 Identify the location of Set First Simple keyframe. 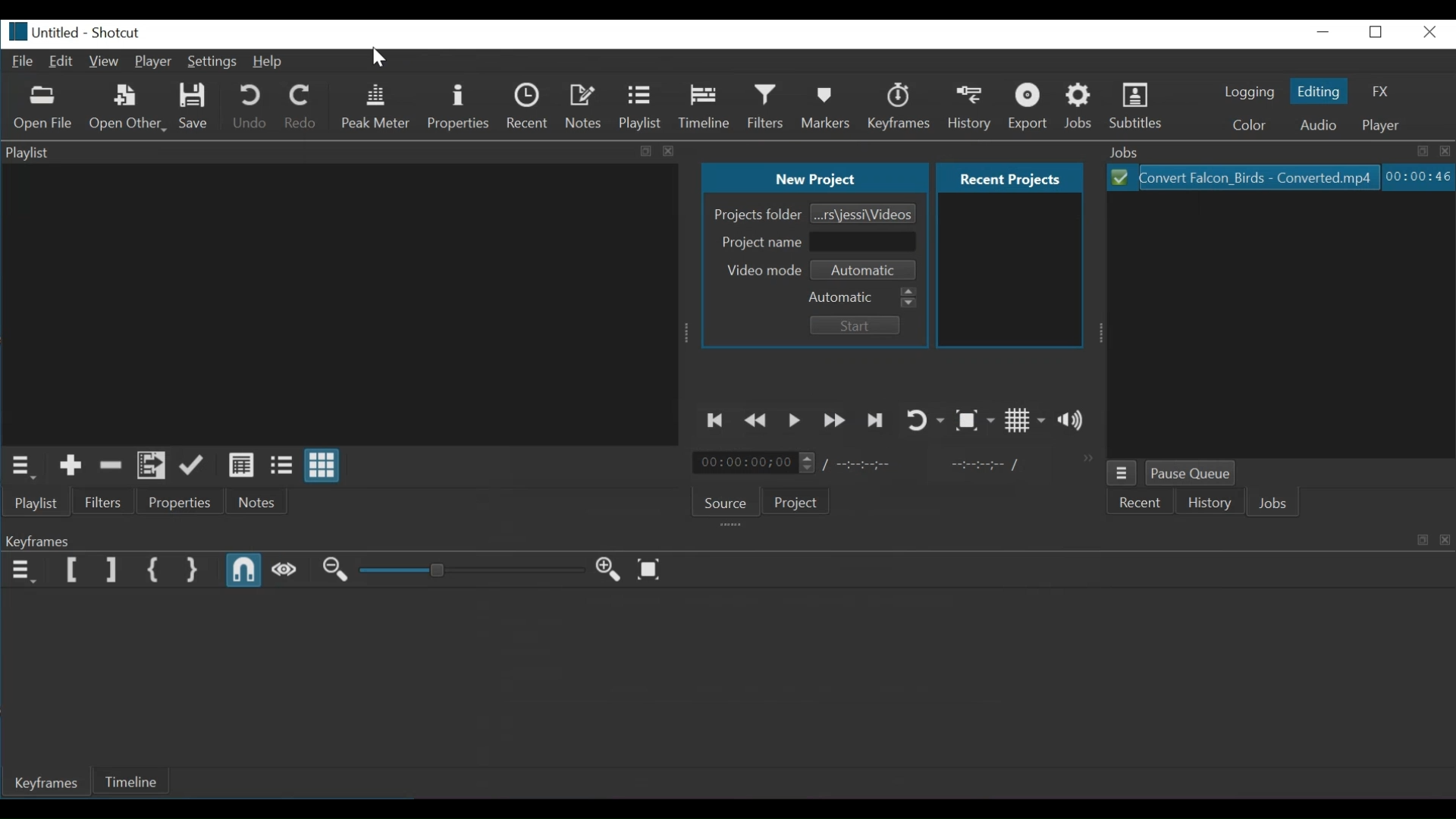
(155, 571).